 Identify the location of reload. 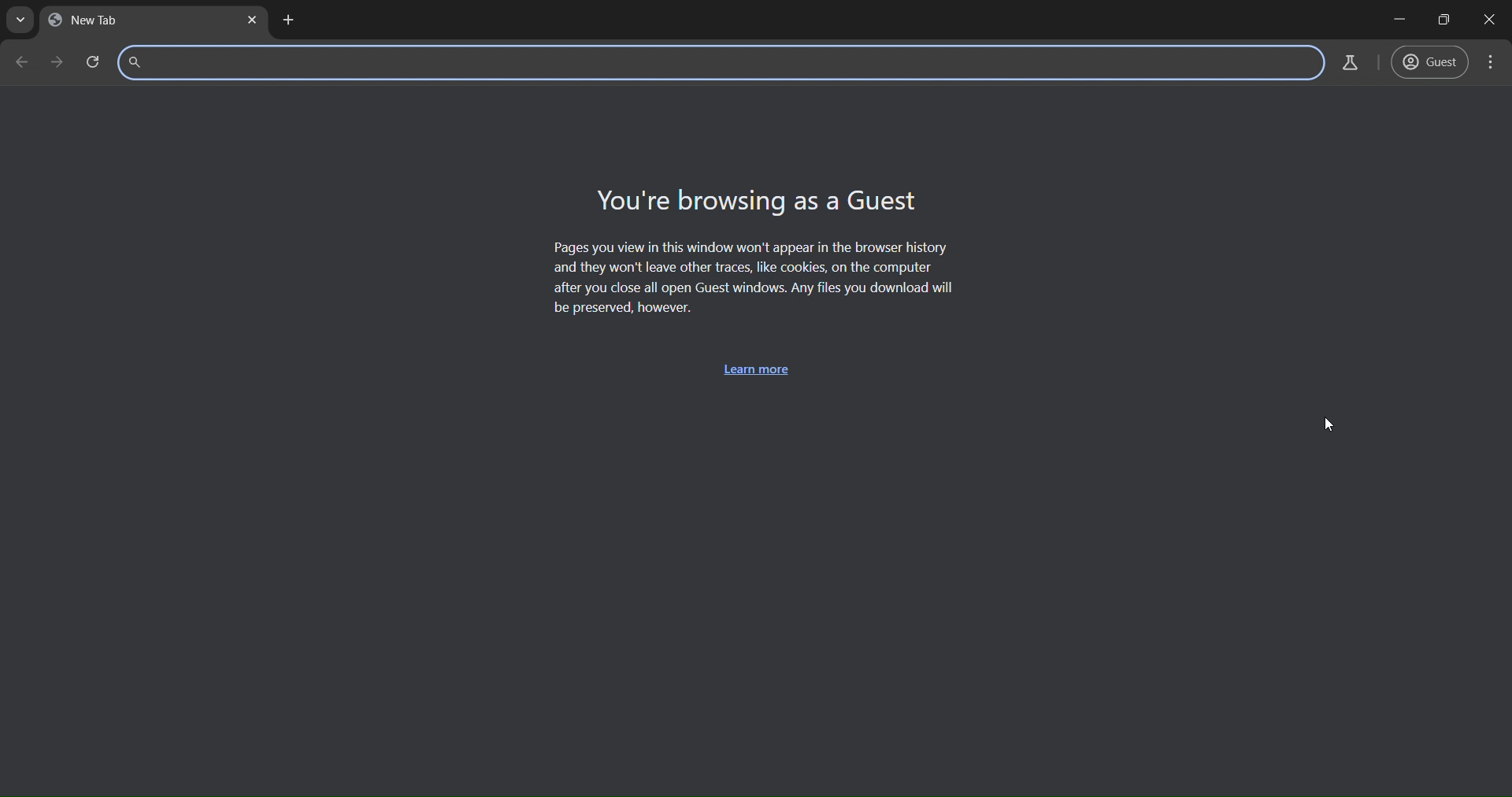
(90, 63).